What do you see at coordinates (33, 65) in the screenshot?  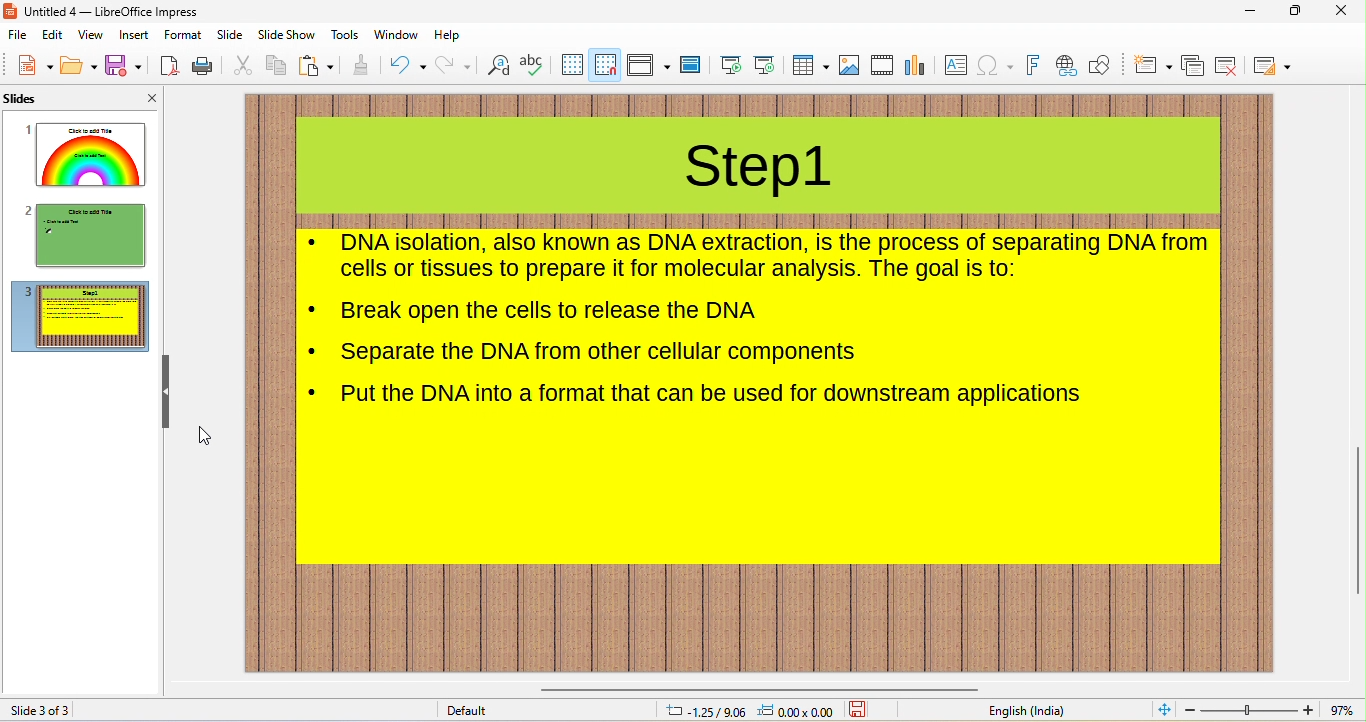 I see `new` at bounding box center [33, 65].